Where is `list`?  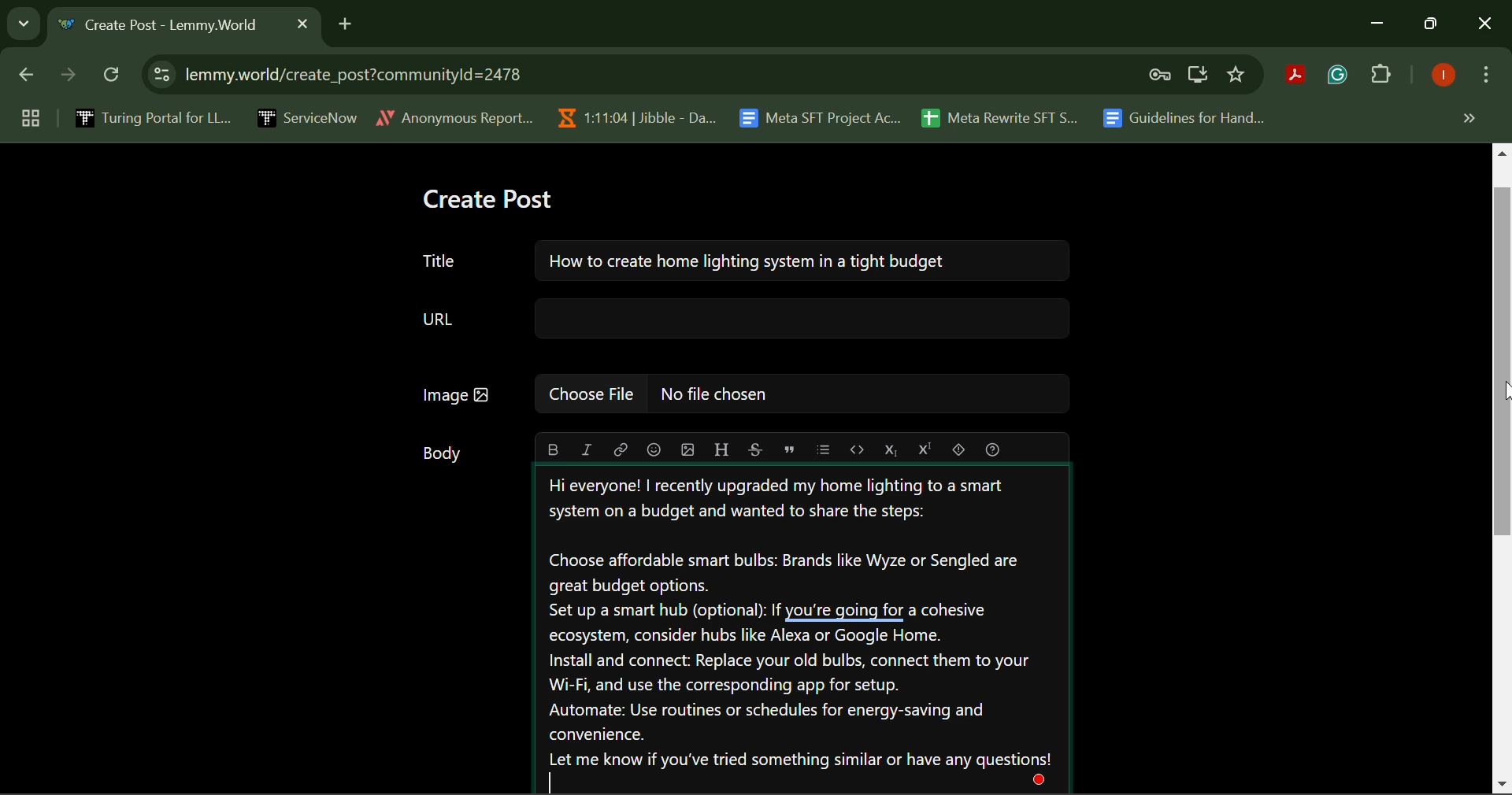 list is located at coordinates (824, 449).